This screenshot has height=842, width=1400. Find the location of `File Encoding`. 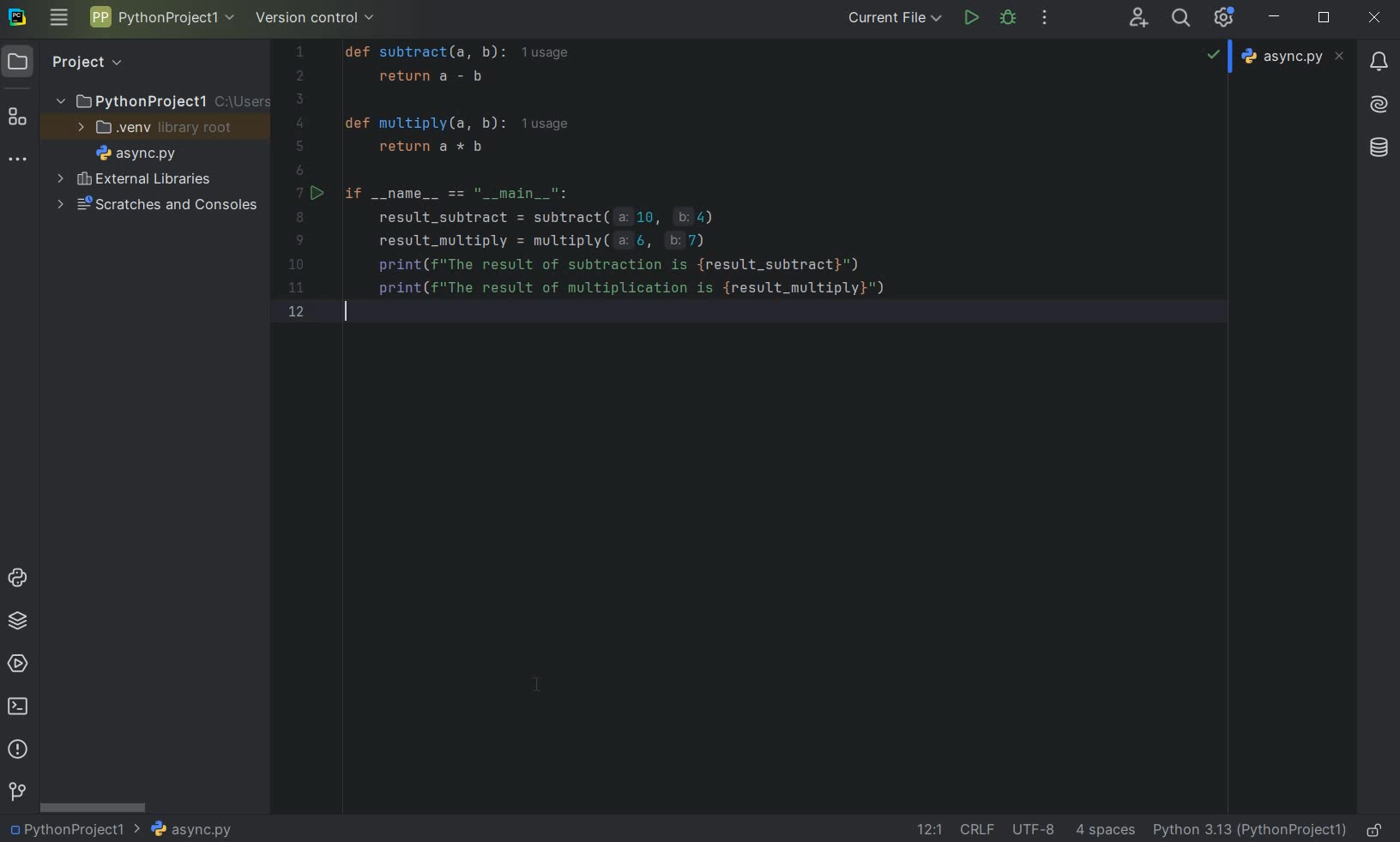

File Encoding is located at coordinates (1035, 829).